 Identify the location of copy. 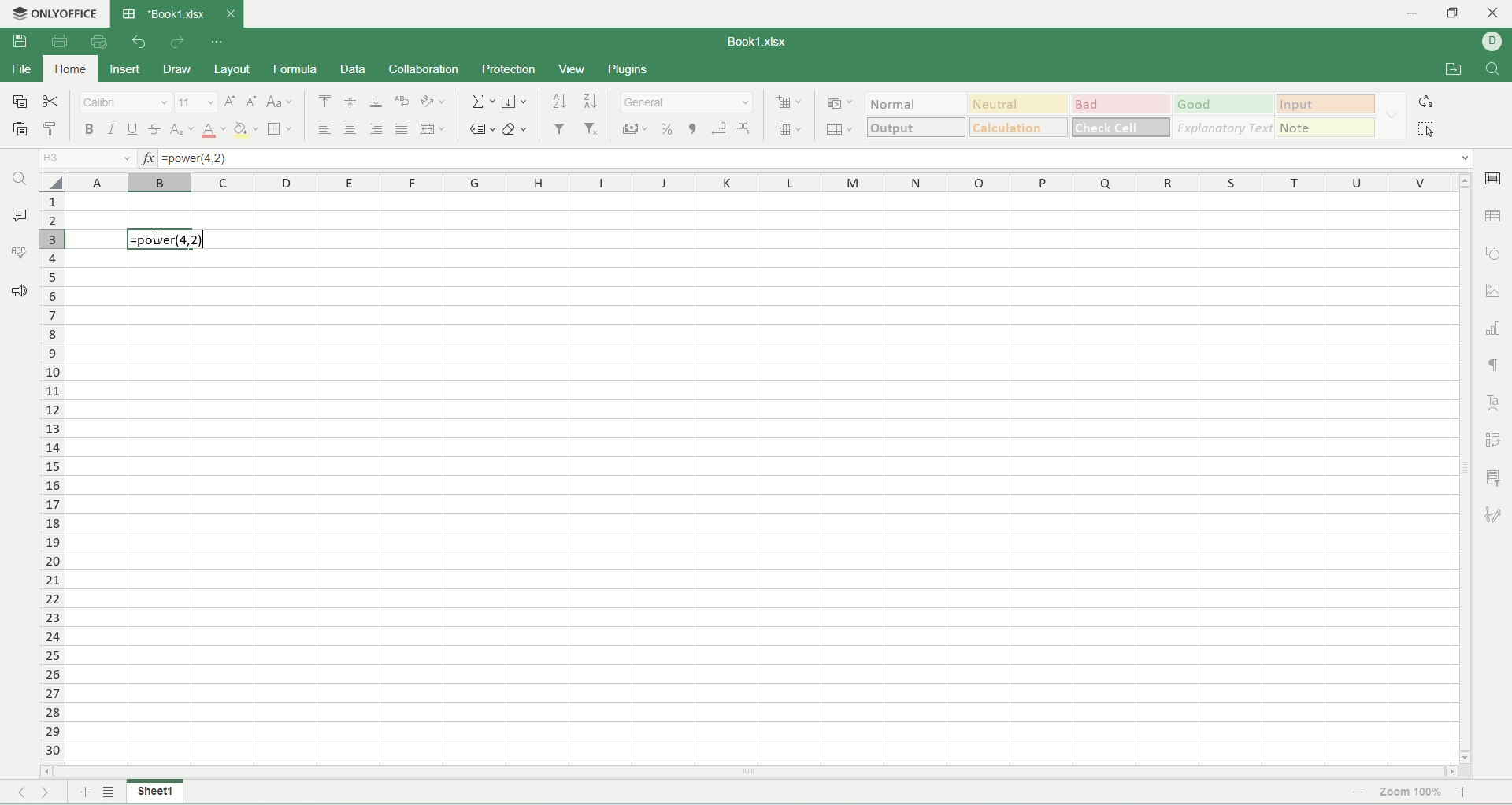
(20, 101).